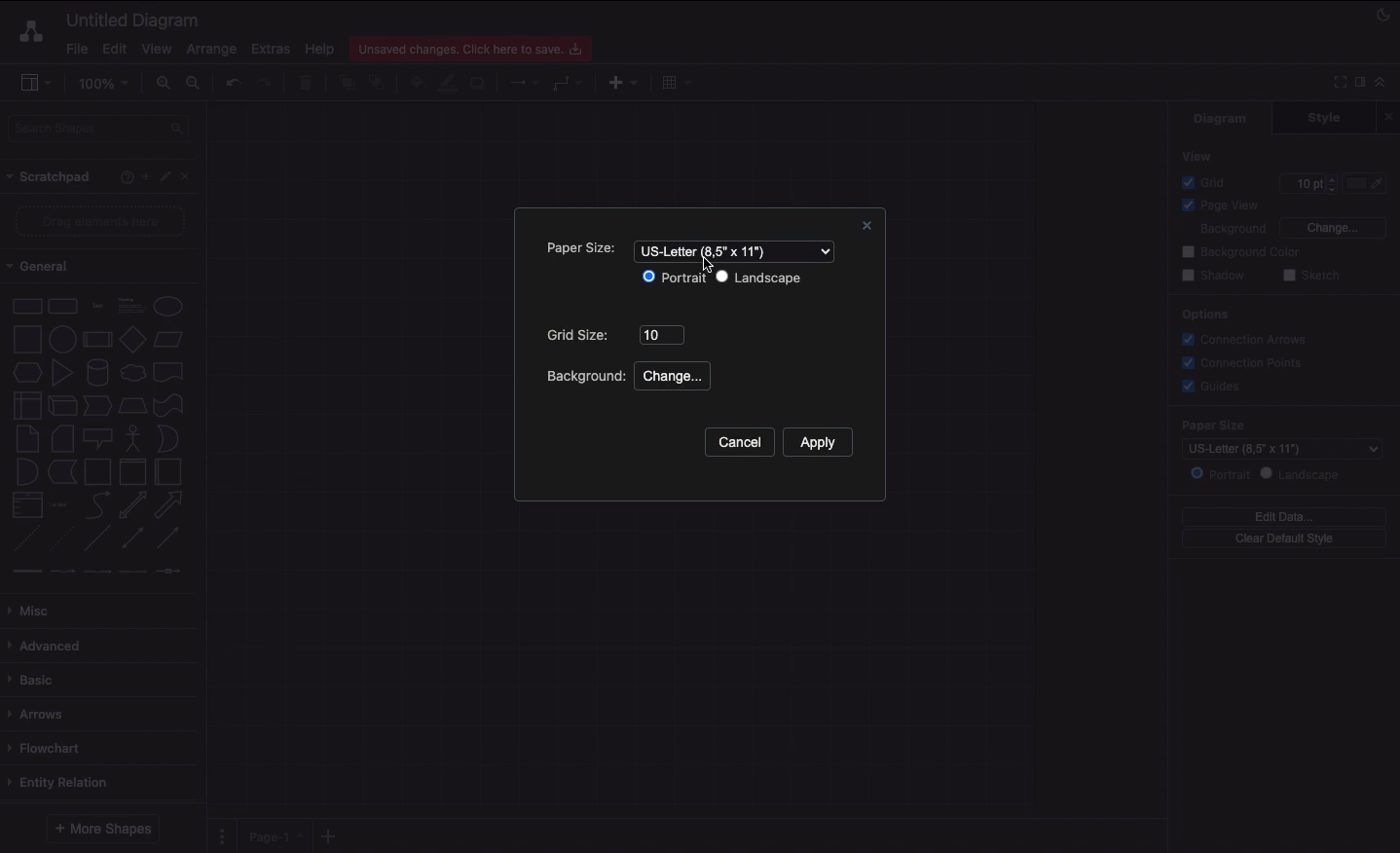  What do you see at coordinates (106, 84) in the screenshot?
I see `100%` at bounding box center [106, 84].